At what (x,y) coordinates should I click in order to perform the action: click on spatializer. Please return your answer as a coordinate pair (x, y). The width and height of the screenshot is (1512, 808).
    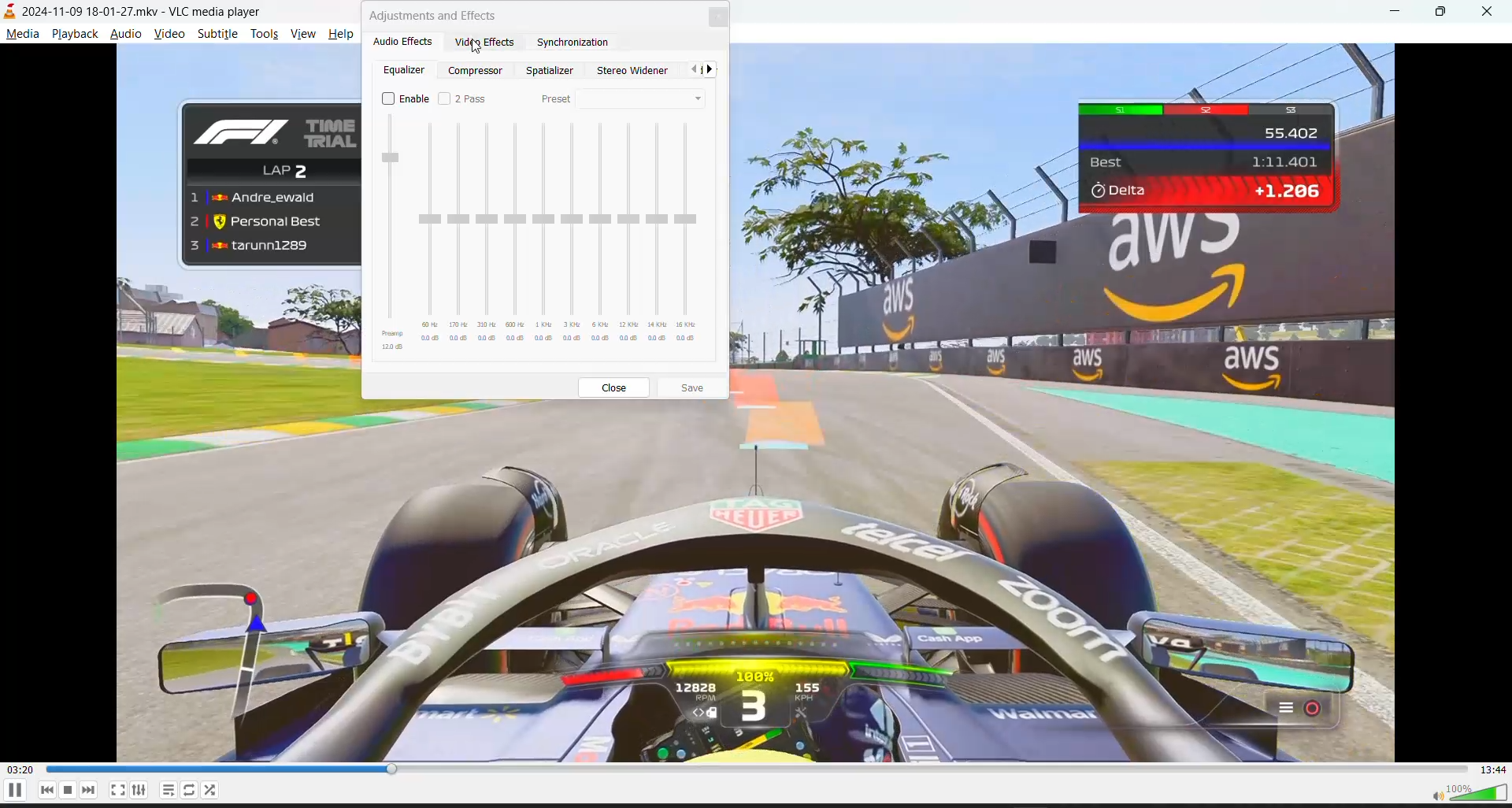
    Looking at the image, I should click on (553, 72).